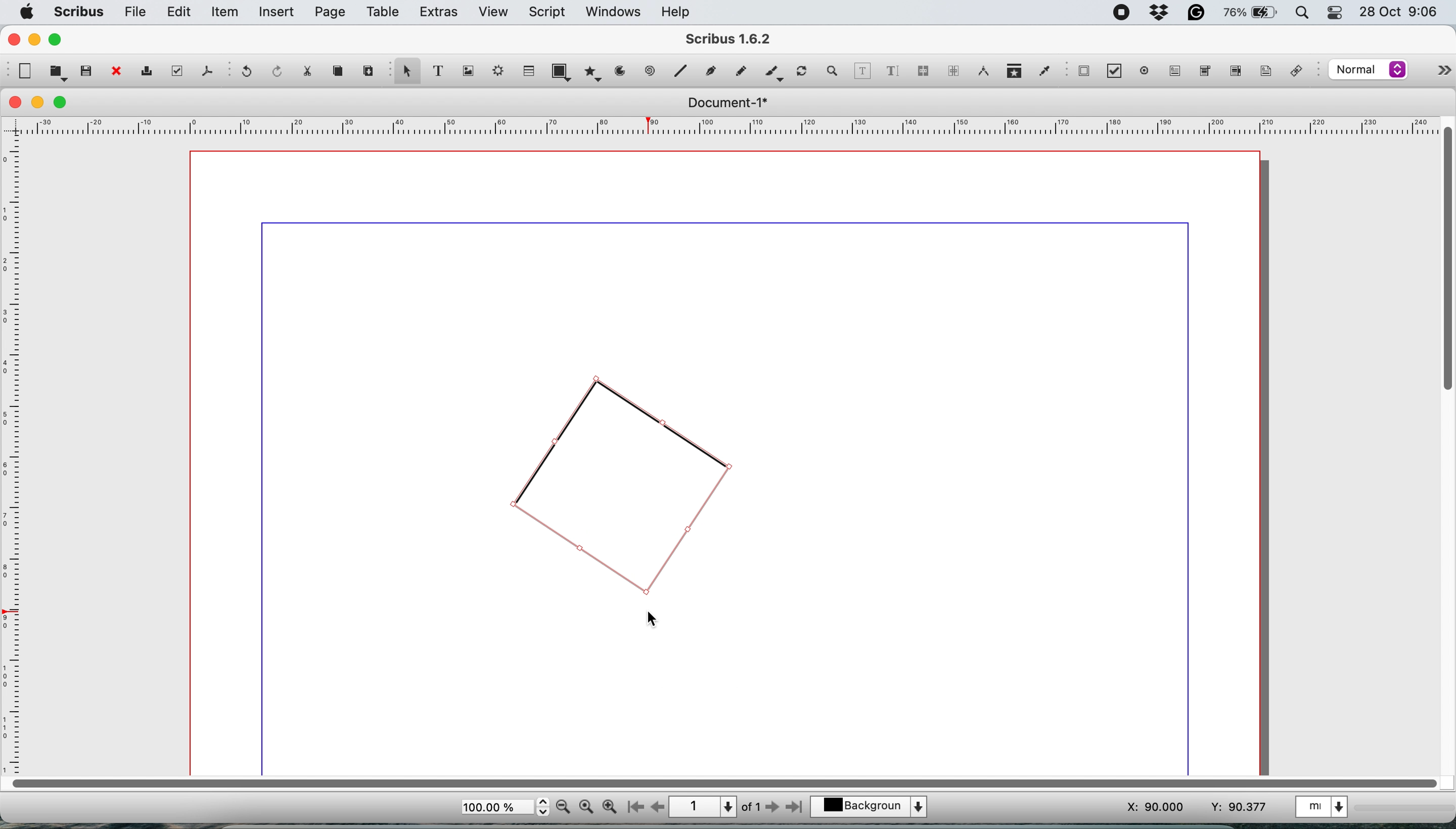 This screenshot has width=1456, height=829. I want to click on xy coordinates, so click(1187, 808).